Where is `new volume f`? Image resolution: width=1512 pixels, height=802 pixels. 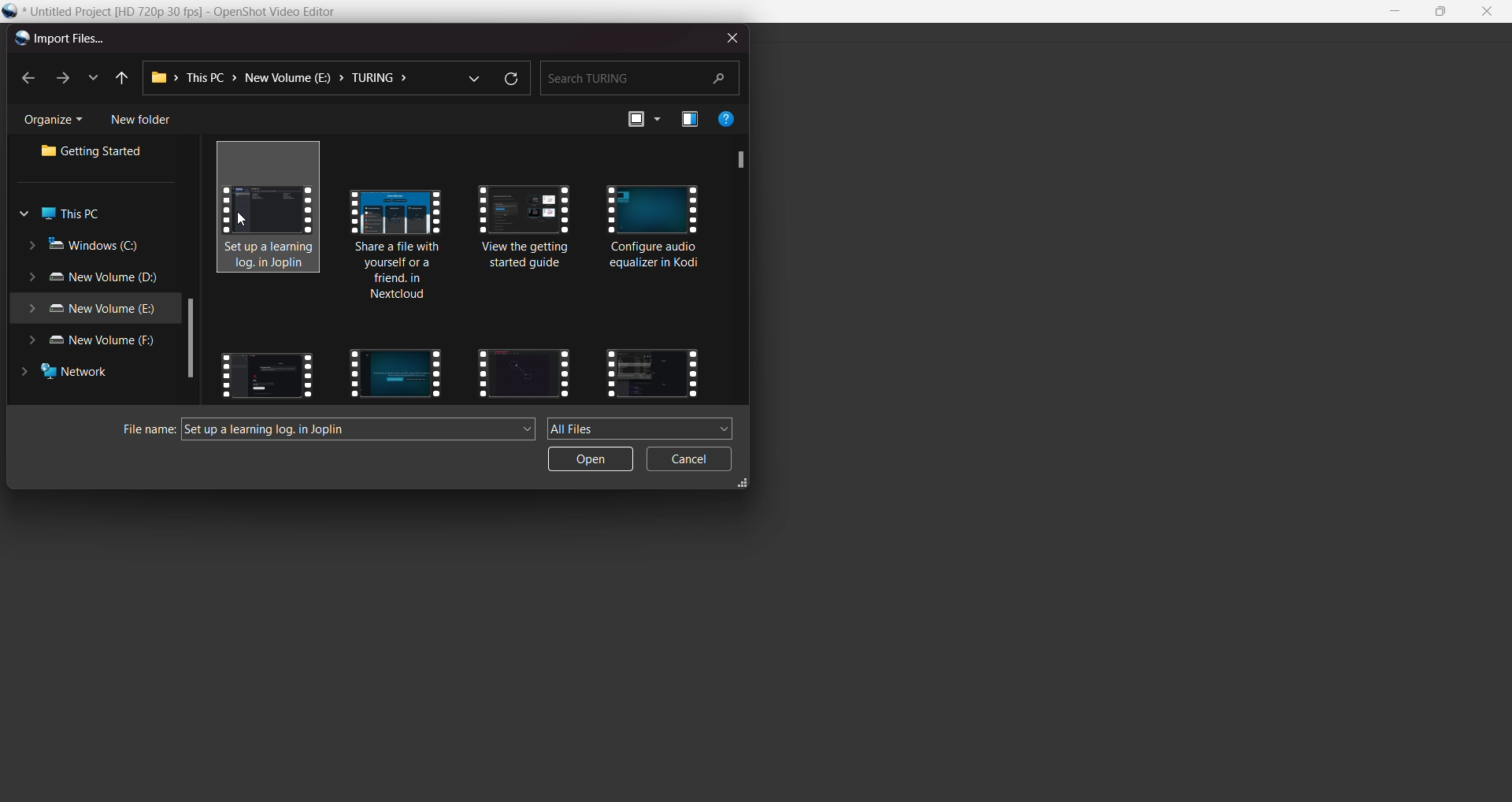
new volume f is located at coordinates (98, 343).